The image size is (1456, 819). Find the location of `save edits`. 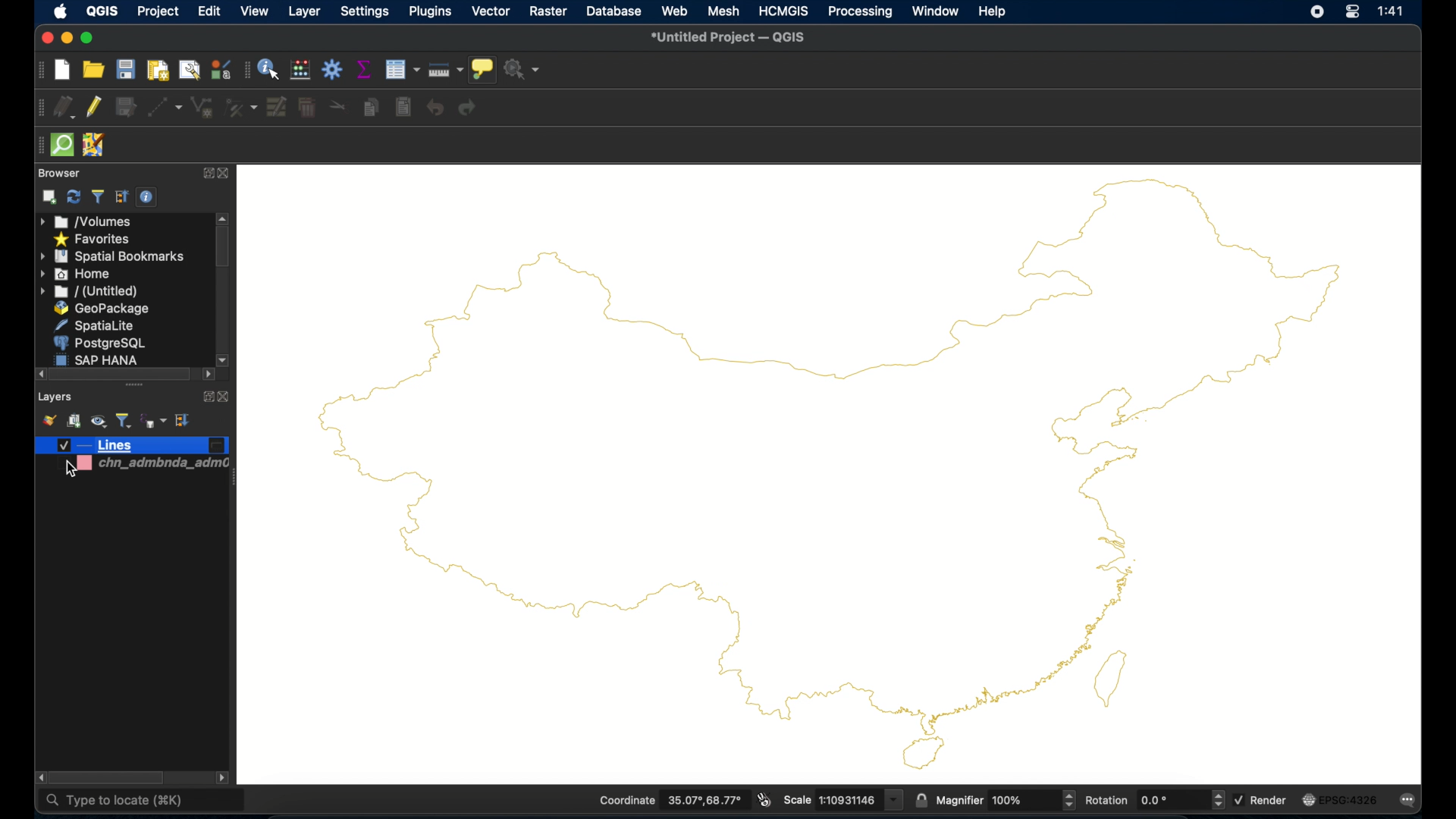

save edits is located at coordinates (125, 108).